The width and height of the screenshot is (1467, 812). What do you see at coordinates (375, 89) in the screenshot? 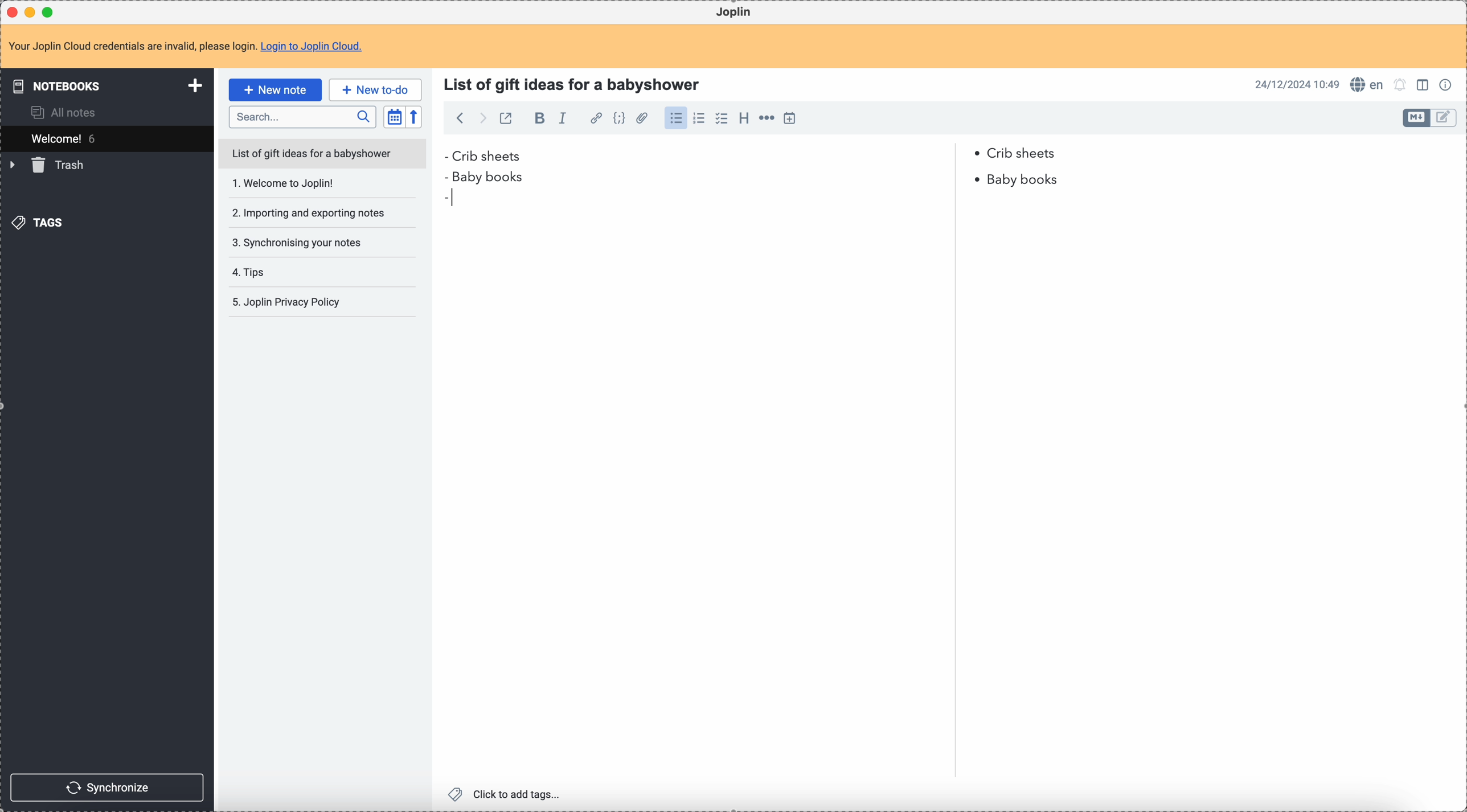
I see `new to-do` at bounding box center [375, 89].